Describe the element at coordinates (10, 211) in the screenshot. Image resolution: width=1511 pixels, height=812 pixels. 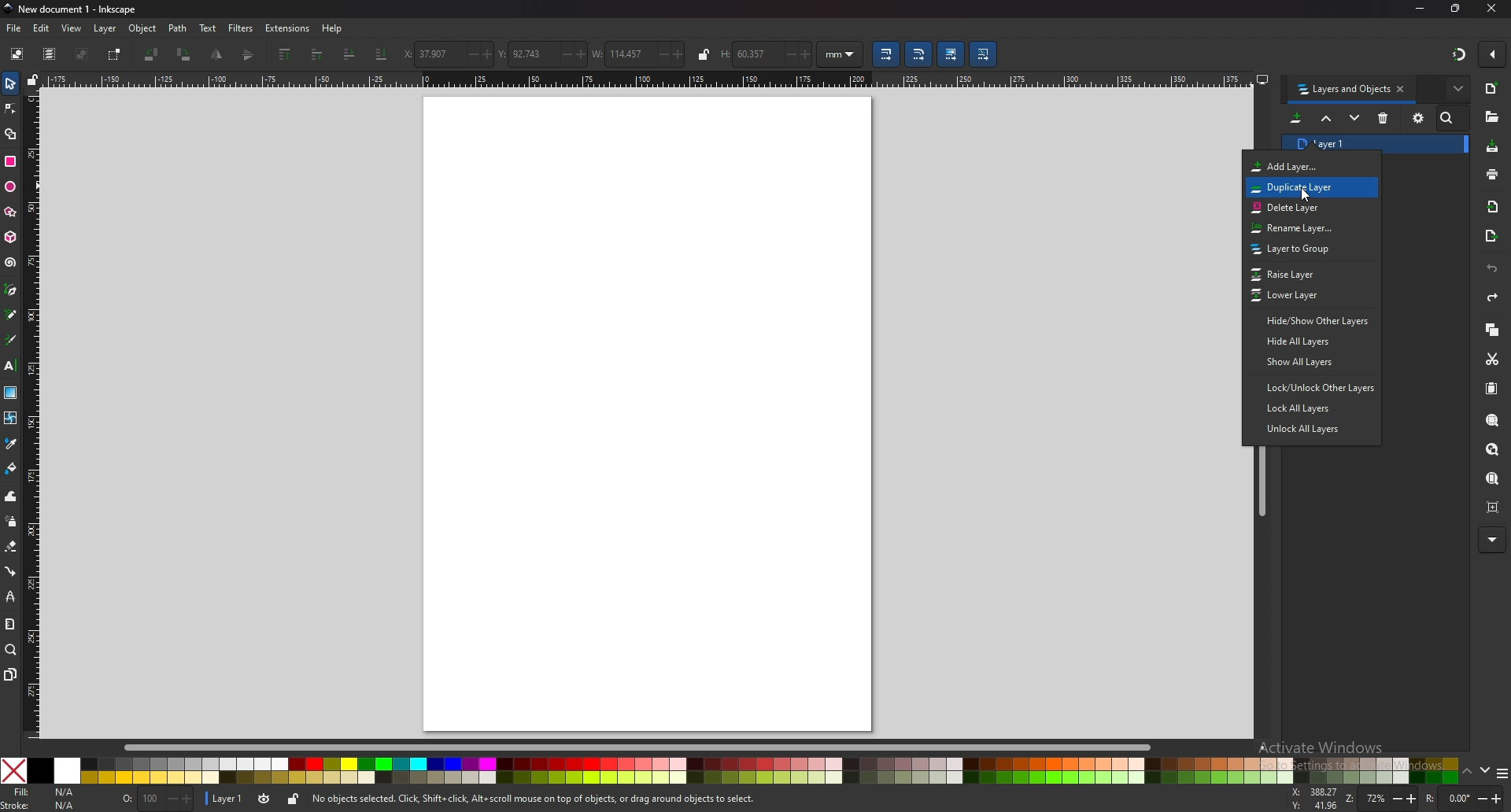
I see `stars and polygons` at that location.